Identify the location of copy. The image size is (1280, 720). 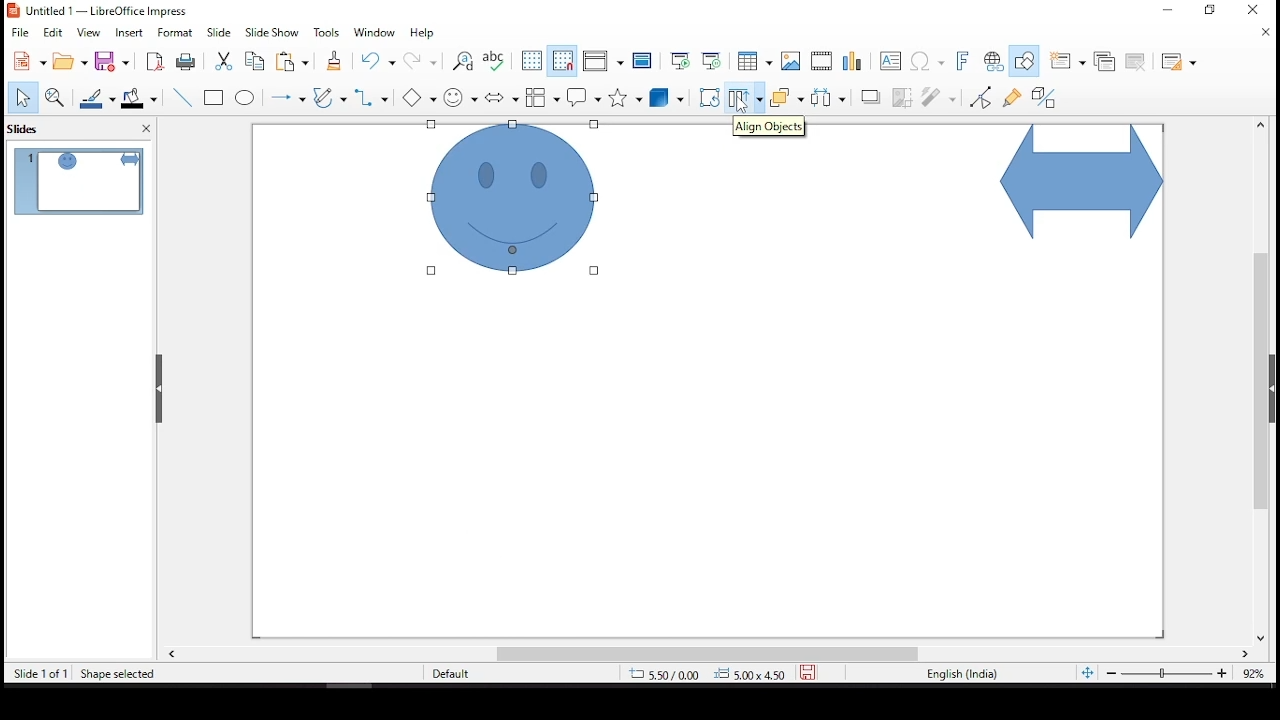
(251, 61).